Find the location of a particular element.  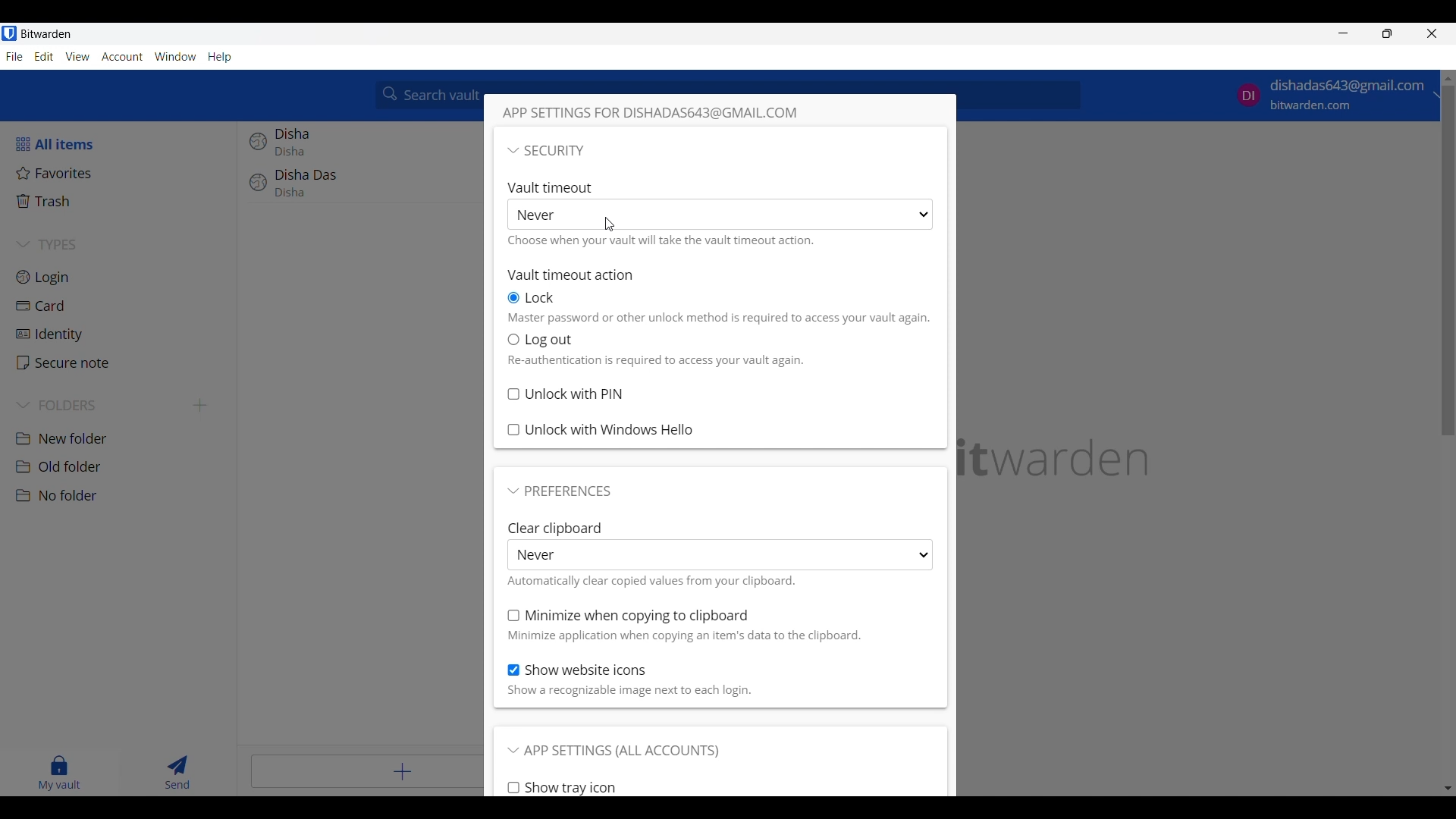

Software name is located at coordinates (46, 34).